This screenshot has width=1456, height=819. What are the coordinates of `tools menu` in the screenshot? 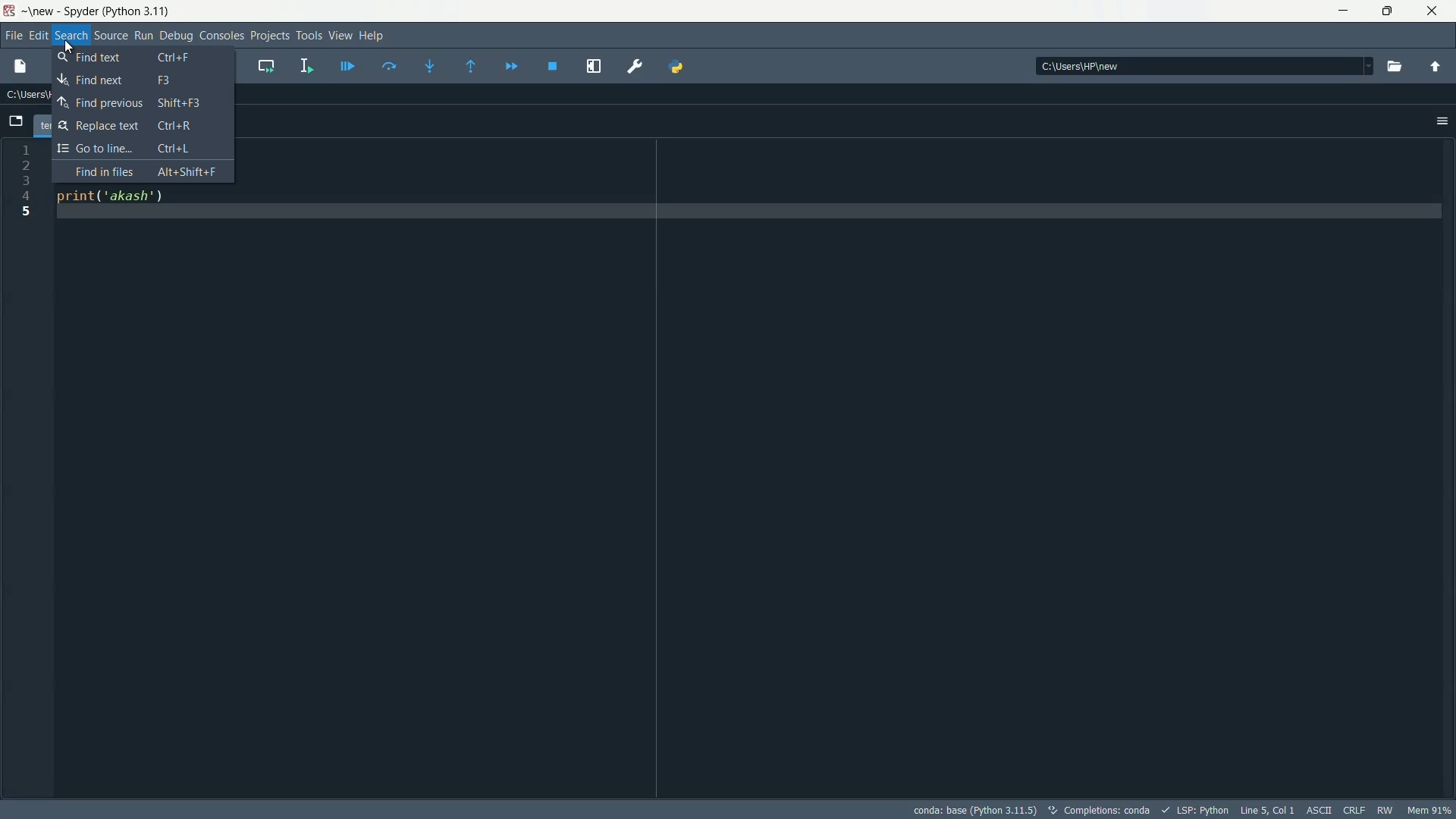 It's located at (308, 36).